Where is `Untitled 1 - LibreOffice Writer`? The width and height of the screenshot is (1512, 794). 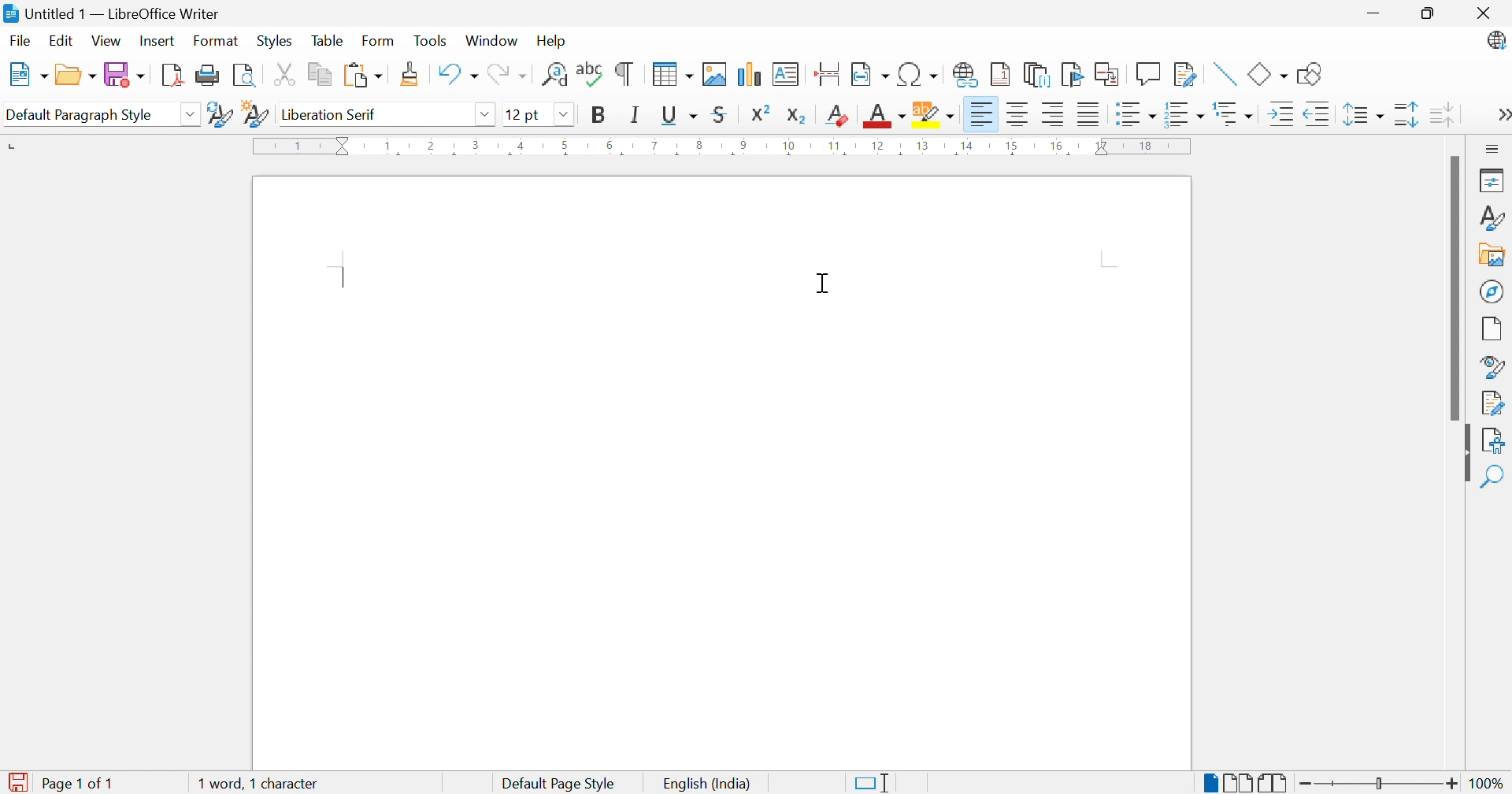 Untitled 1 - LibreOffice Writer is located at coordinates (110, 13).